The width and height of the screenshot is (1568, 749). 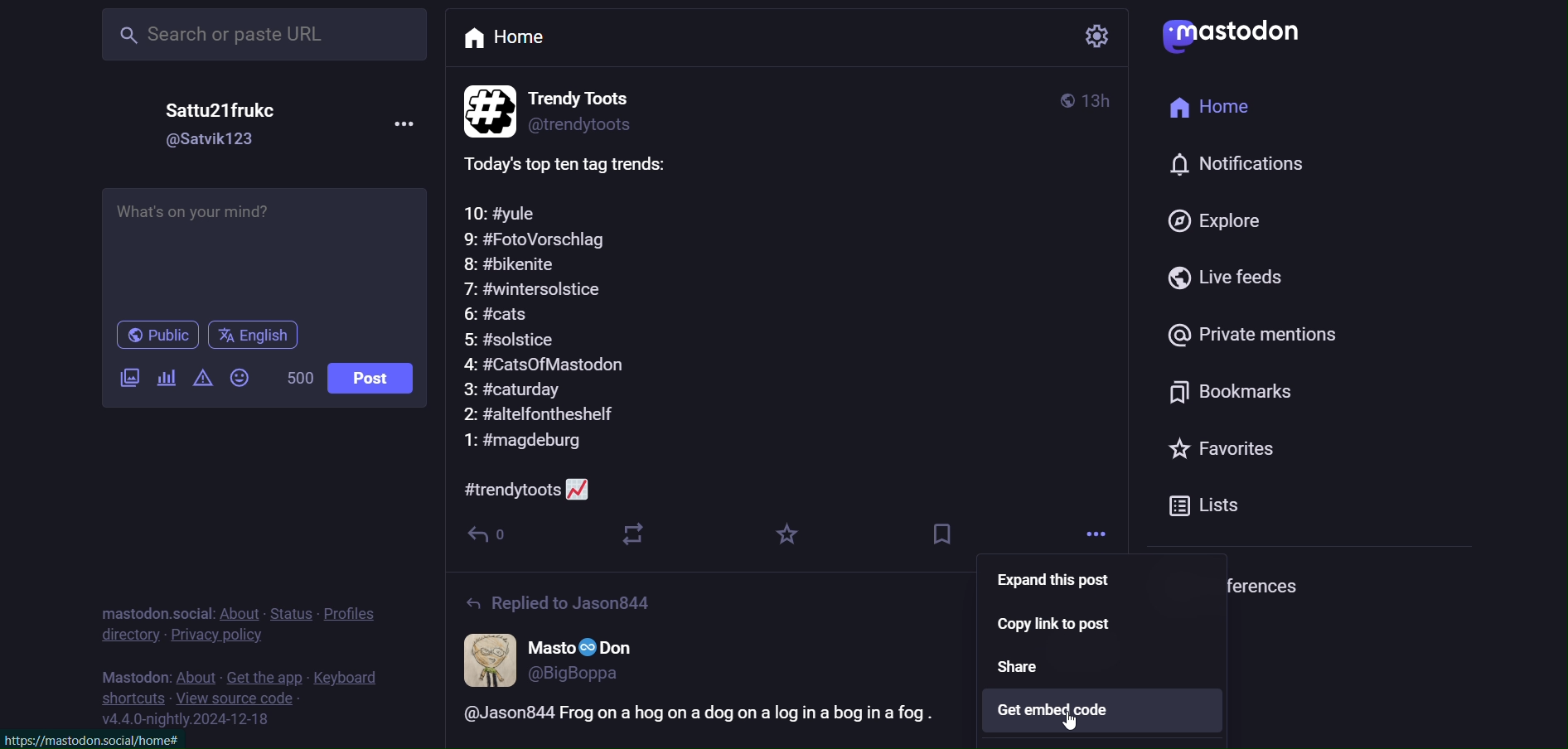 What do you see at coordinates (1212, 453) in the screenshot?
I see `favorites` at bounding box center [1212, 453].